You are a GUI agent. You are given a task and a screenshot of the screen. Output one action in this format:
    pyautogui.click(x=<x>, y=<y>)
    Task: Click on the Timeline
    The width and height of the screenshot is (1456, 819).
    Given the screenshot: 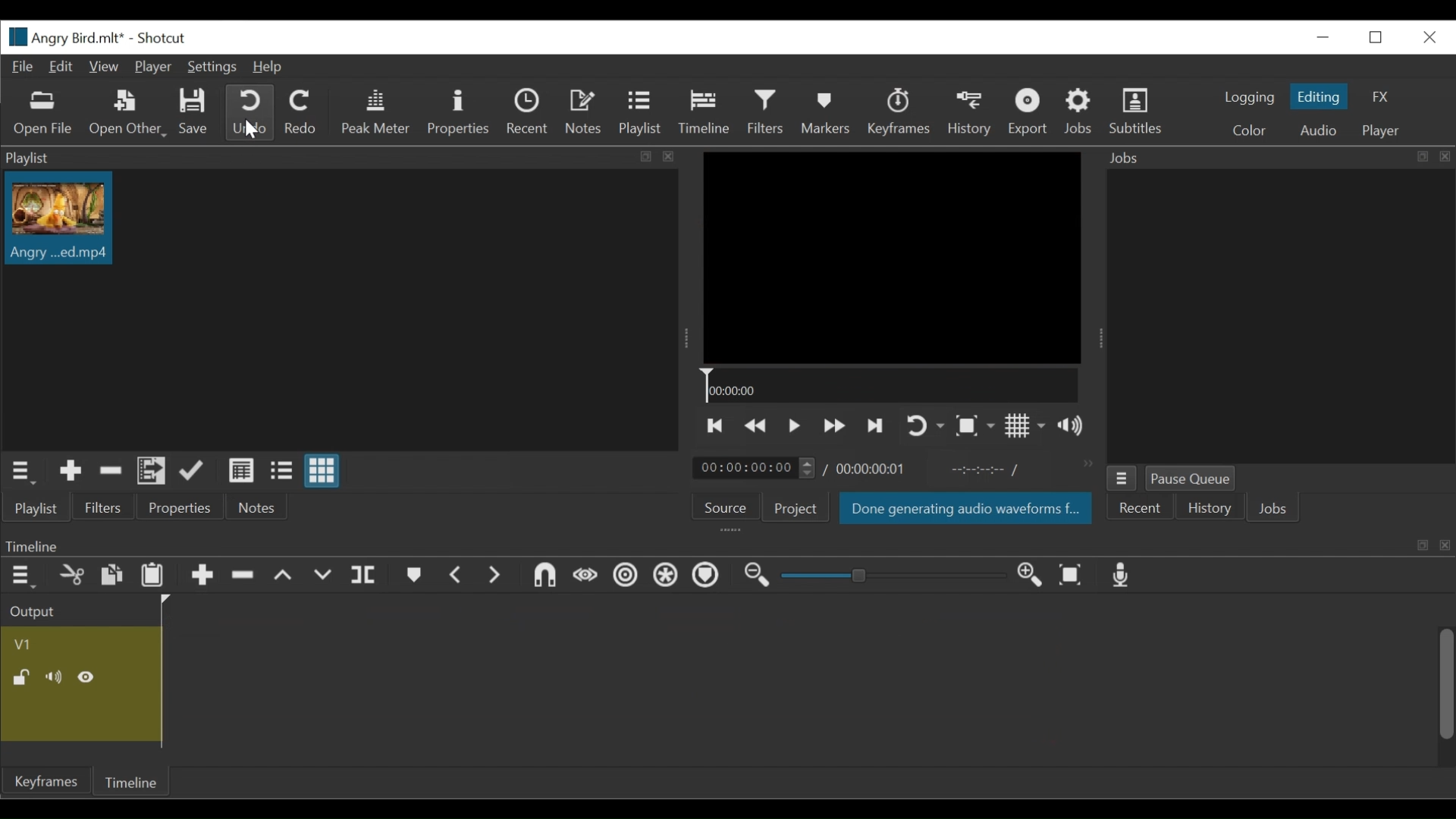 What is the action you would take?
    pyautogui.click(x=794, y=683)
    